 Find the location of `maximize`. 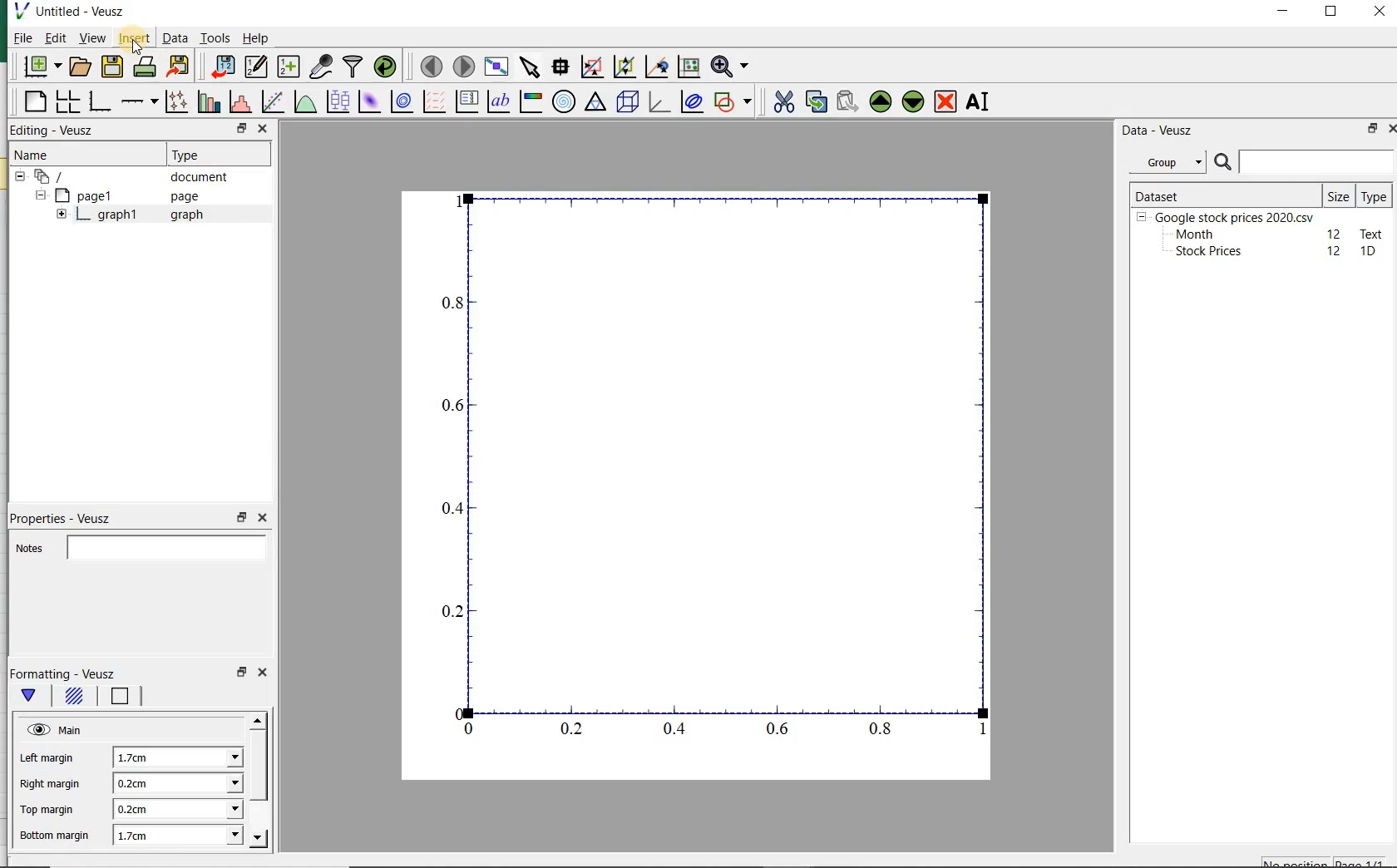

maximize is located at coordinates (1334, 13).